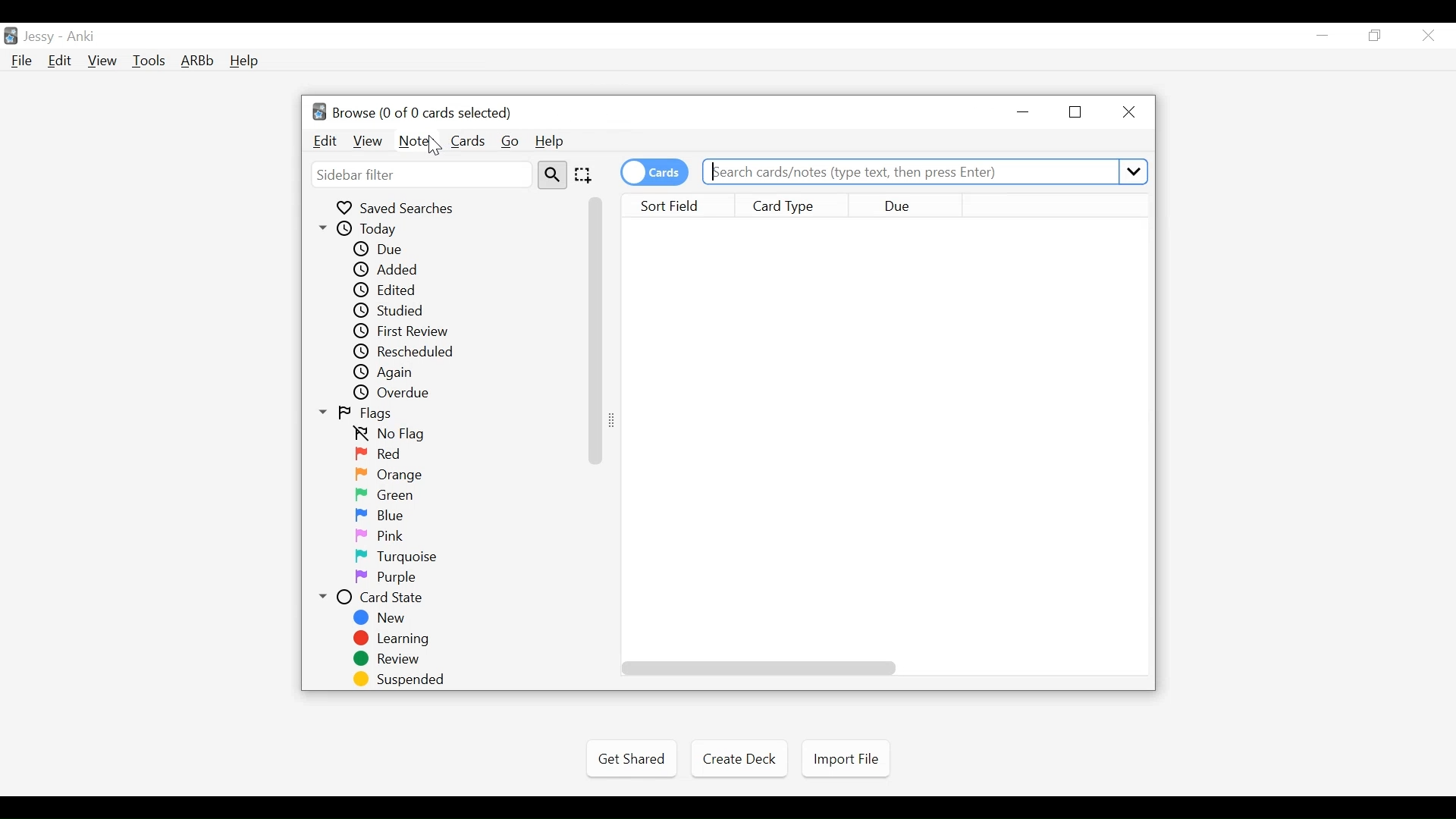 The image size is (1456, 819). Describe the element at coordinates (403, 331) in the screenshot. I see `First Review` at that location.